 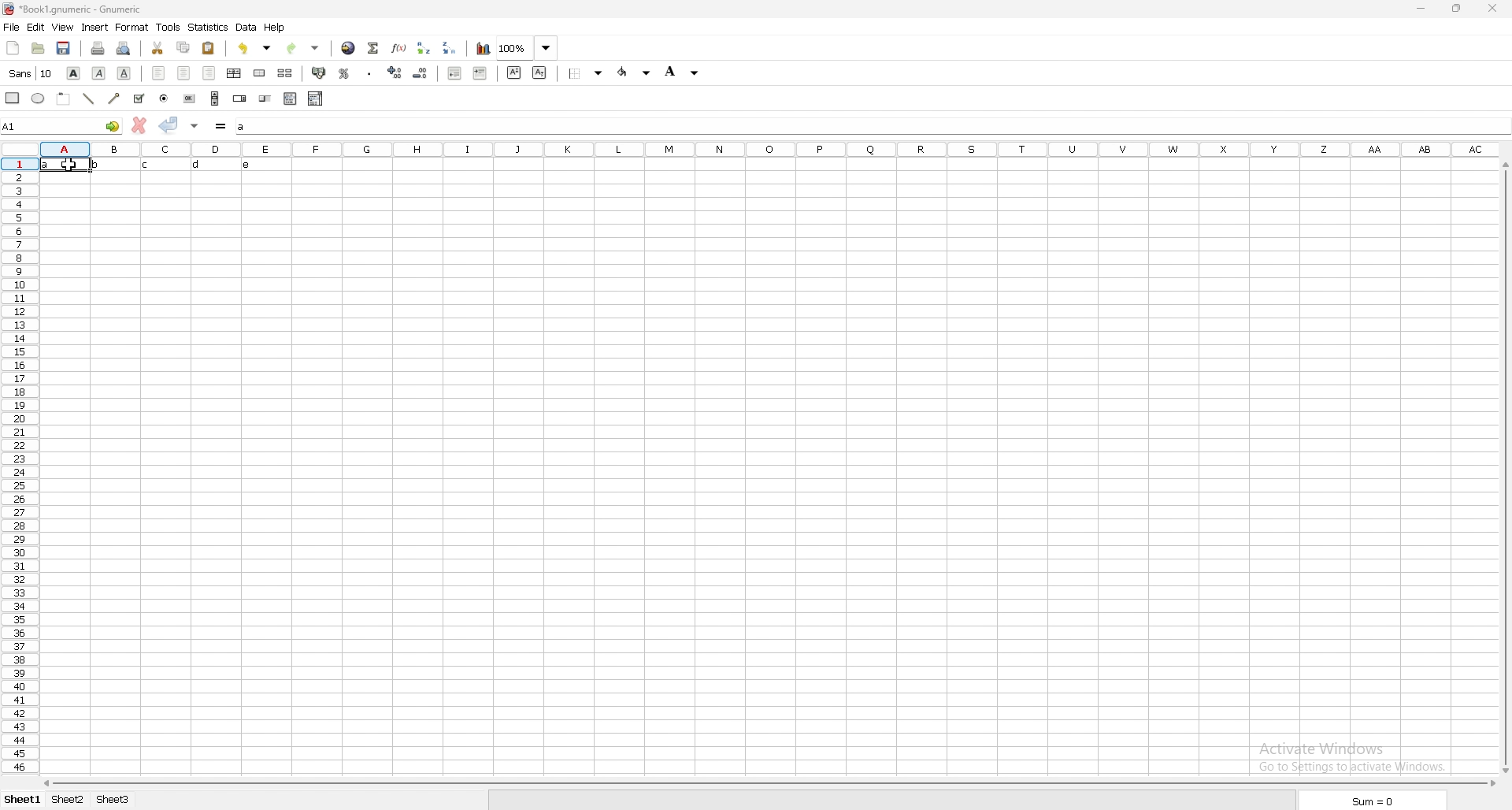 I want to click on font, so click(x=31, y=73).